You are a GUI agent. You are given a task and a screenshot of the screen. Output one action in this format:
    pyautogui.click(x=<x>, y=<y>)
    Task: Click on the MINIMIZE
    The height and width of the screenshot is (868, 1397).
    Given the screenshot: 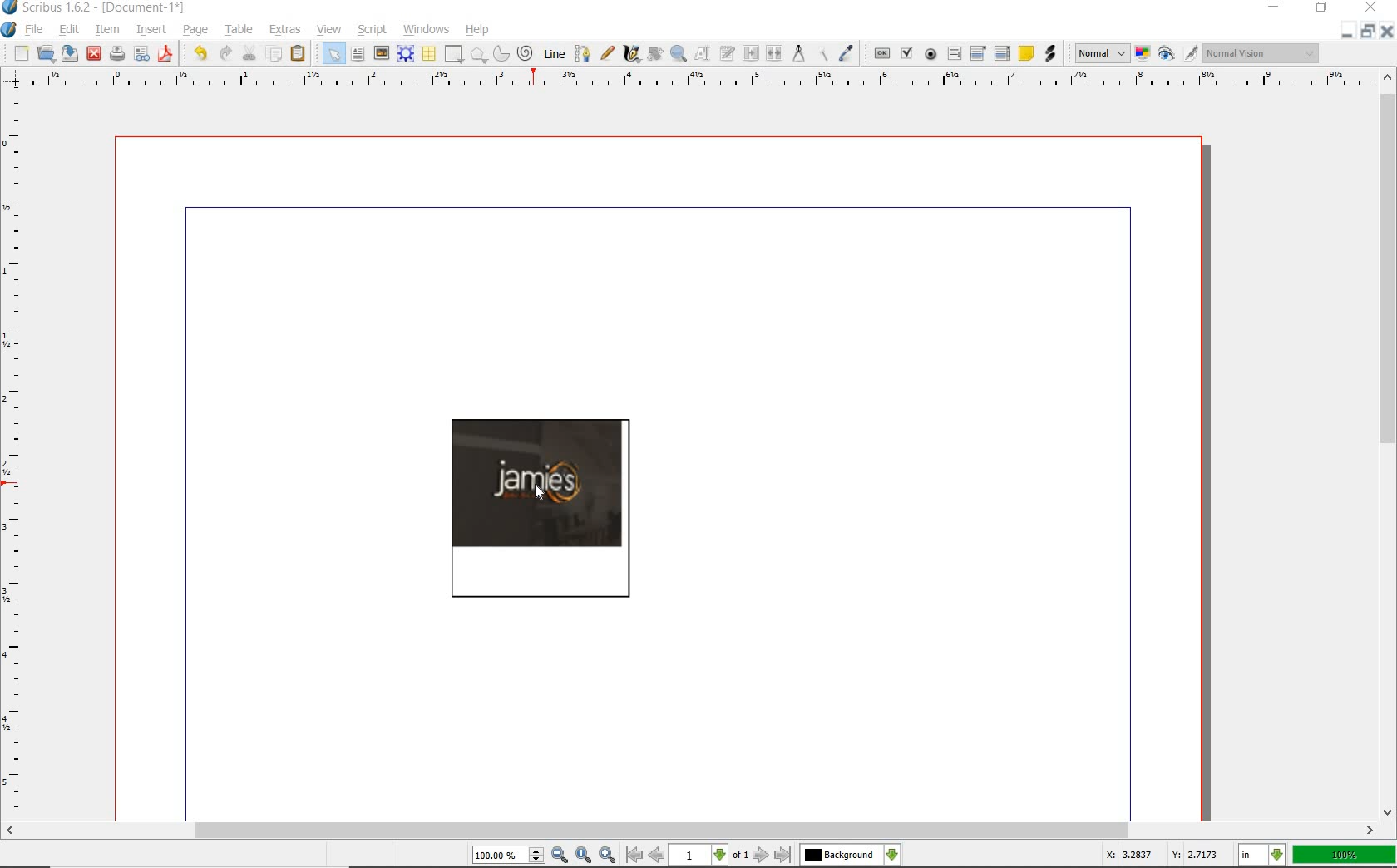 What is the action you would take?
    pyautogui.click(x=1348, y=32)
    